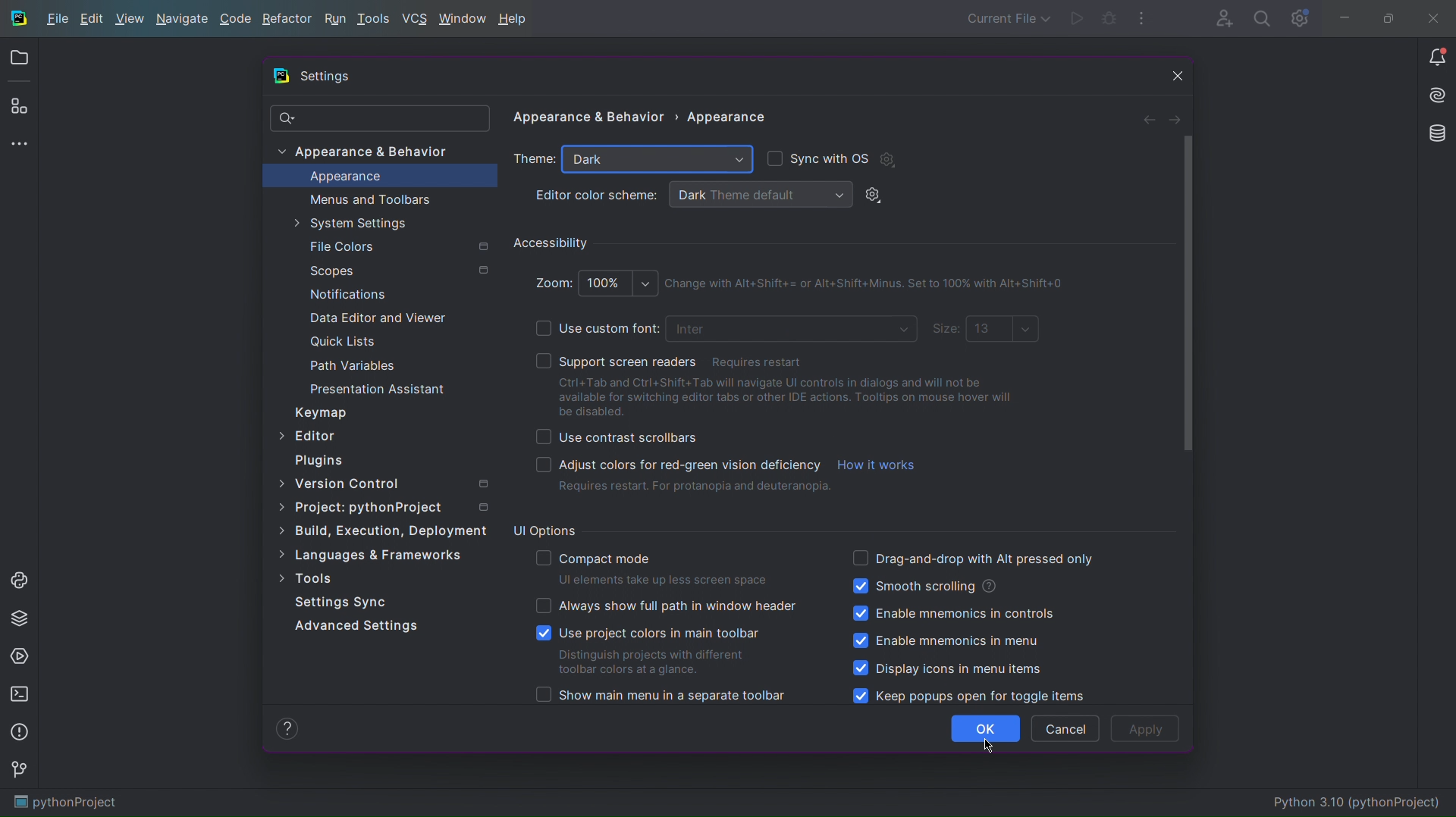 Image resolution: width=1456 pixels, height=817 pixels. What do you see at coordinates (887, 159) in the screenshot?
I see `Os settings` at bounding box center [887, 159].